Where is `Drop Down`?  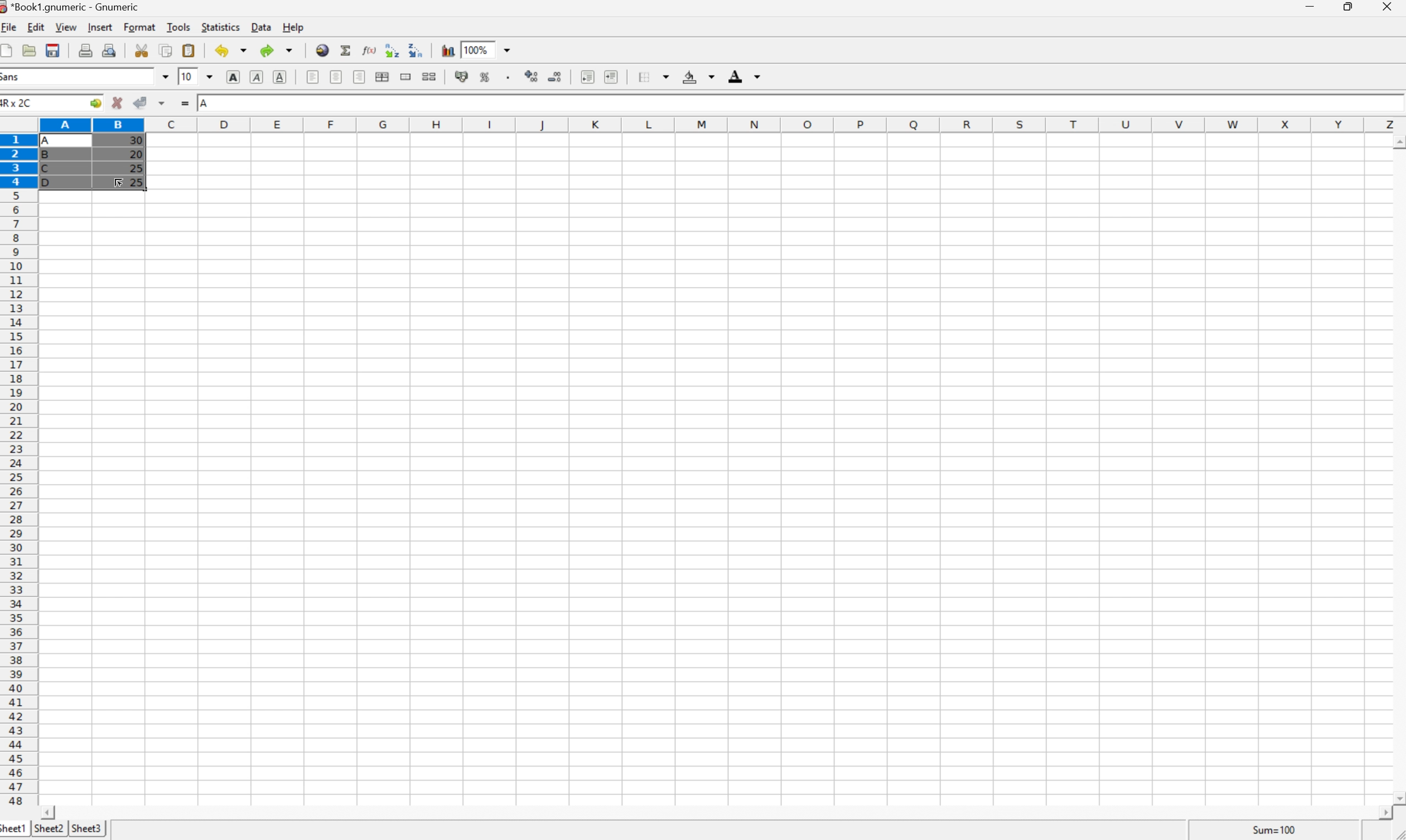
Drop Down is located at coordinates (164, 76).